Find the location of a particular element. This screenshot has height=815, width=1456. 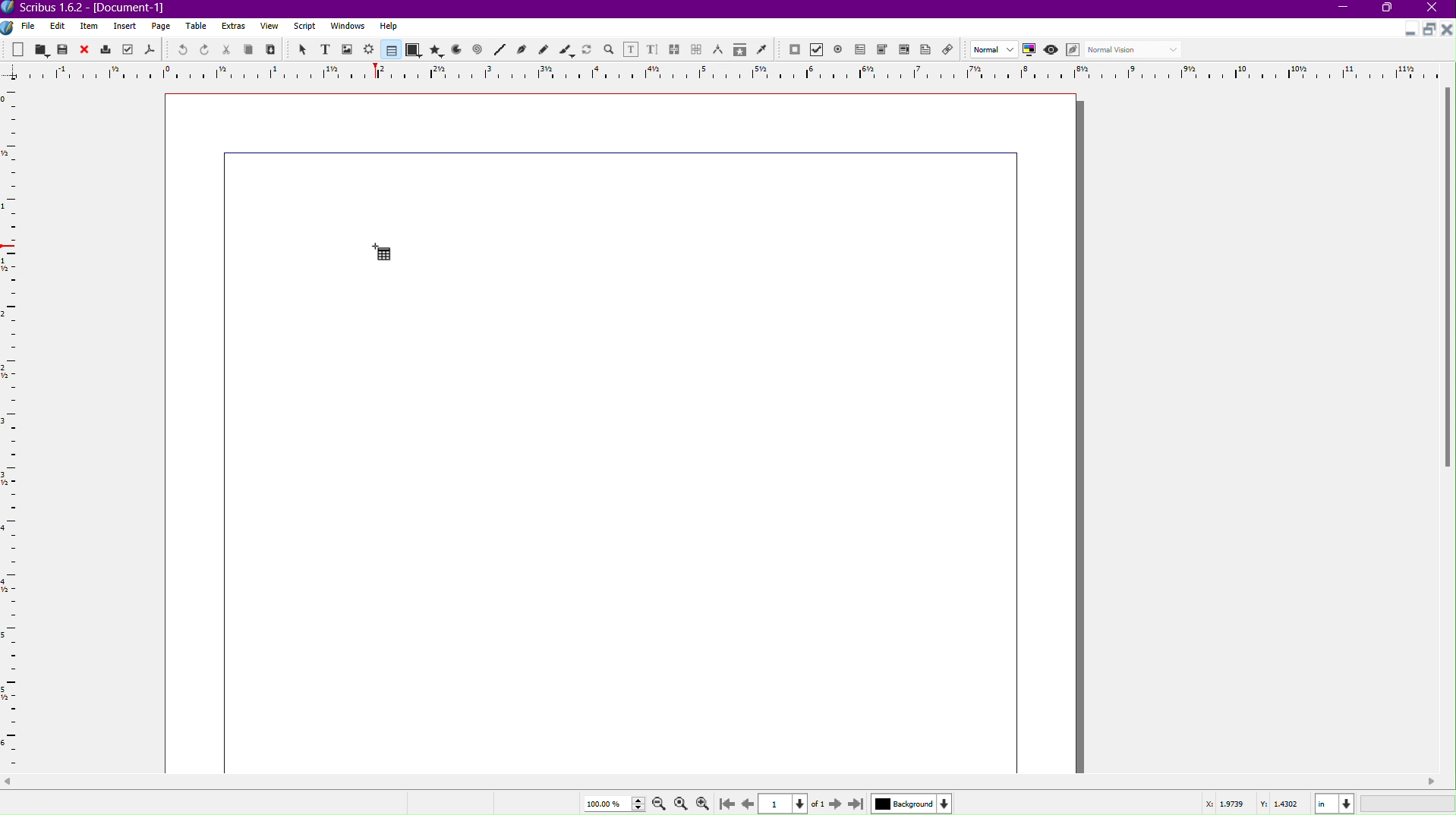

File is located at coordinates (27, 27).